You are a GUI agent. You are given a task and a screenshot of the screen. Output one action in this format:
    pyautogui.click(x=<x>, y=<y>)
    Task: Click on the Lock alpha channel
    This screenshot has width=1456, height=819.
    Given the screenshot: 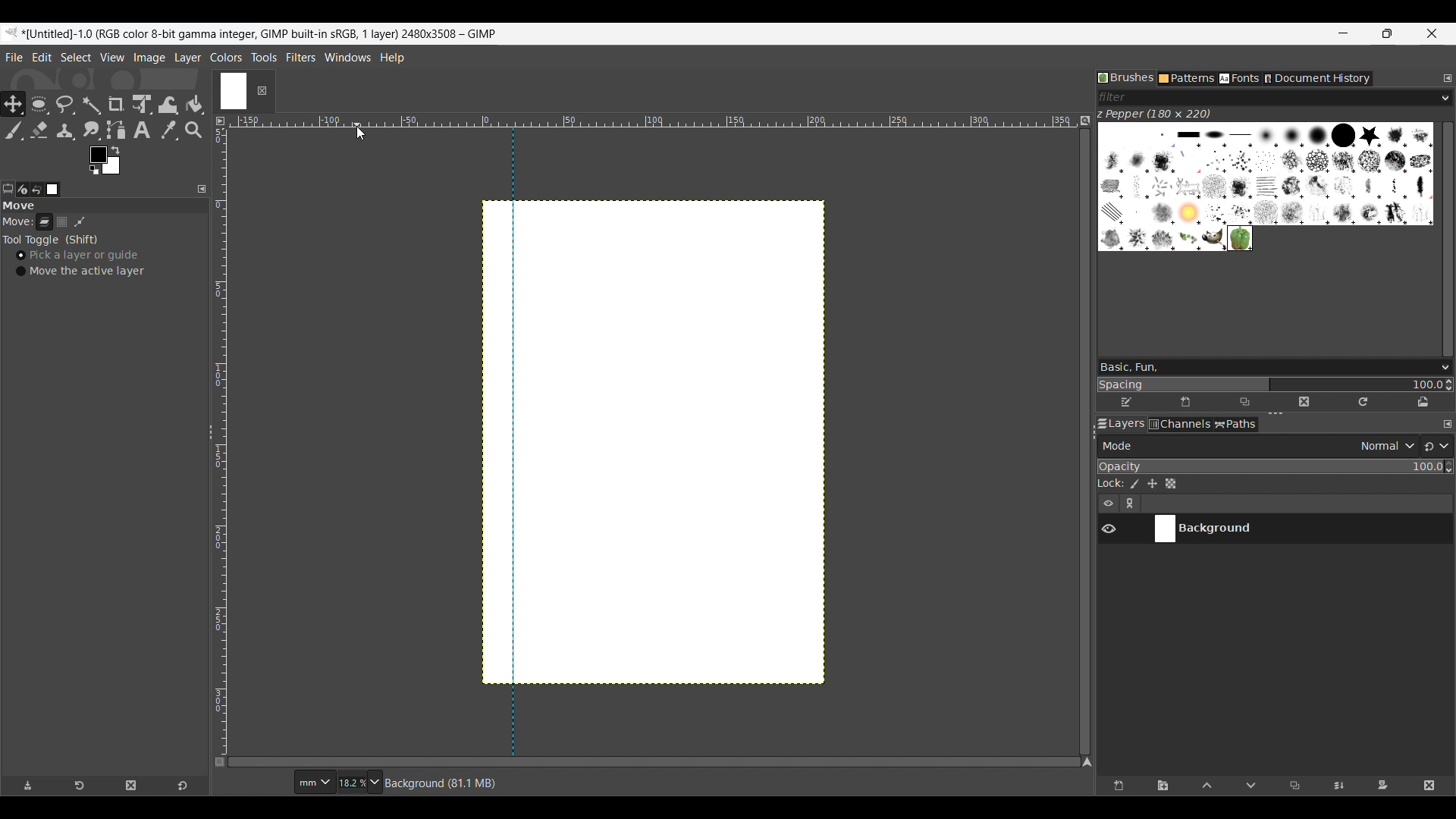 What is the action you would take?
    pyautogui.click(x=1170, y=484)
    